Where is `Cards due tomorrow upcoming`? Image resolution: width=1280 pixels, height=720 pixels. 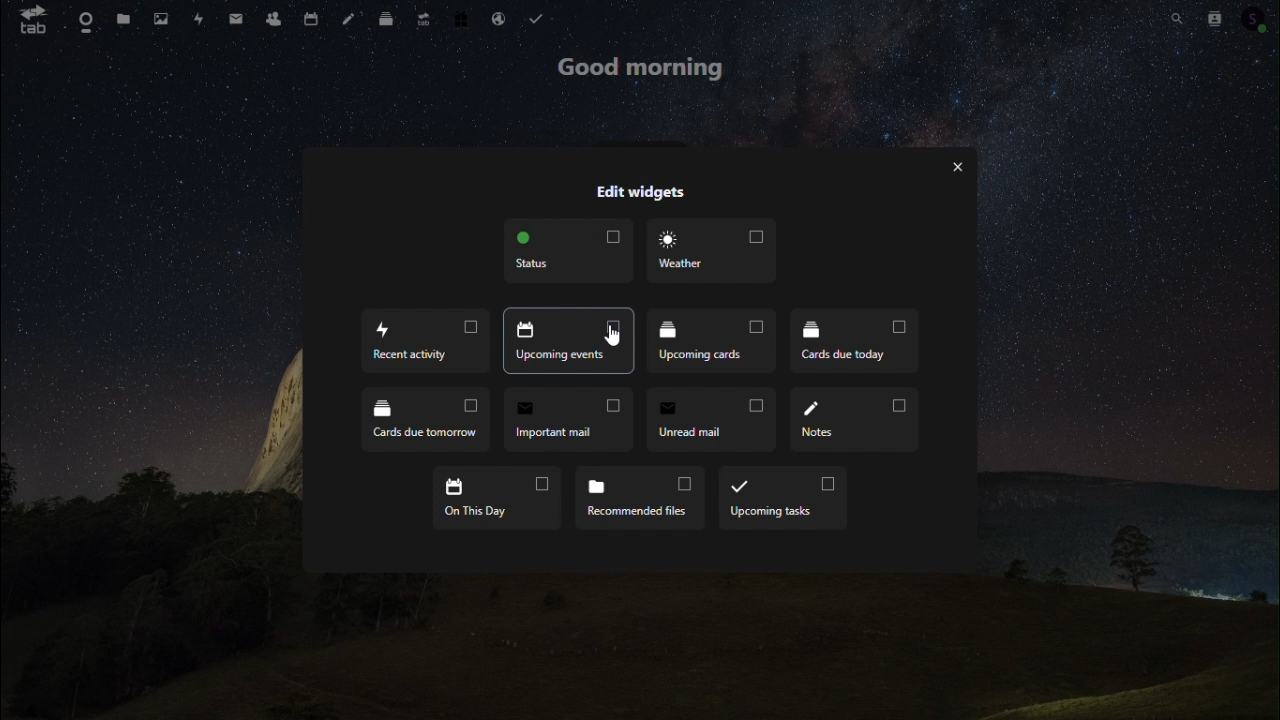
Cards due tomorrow upcoming is located at coordinates (427, 419).